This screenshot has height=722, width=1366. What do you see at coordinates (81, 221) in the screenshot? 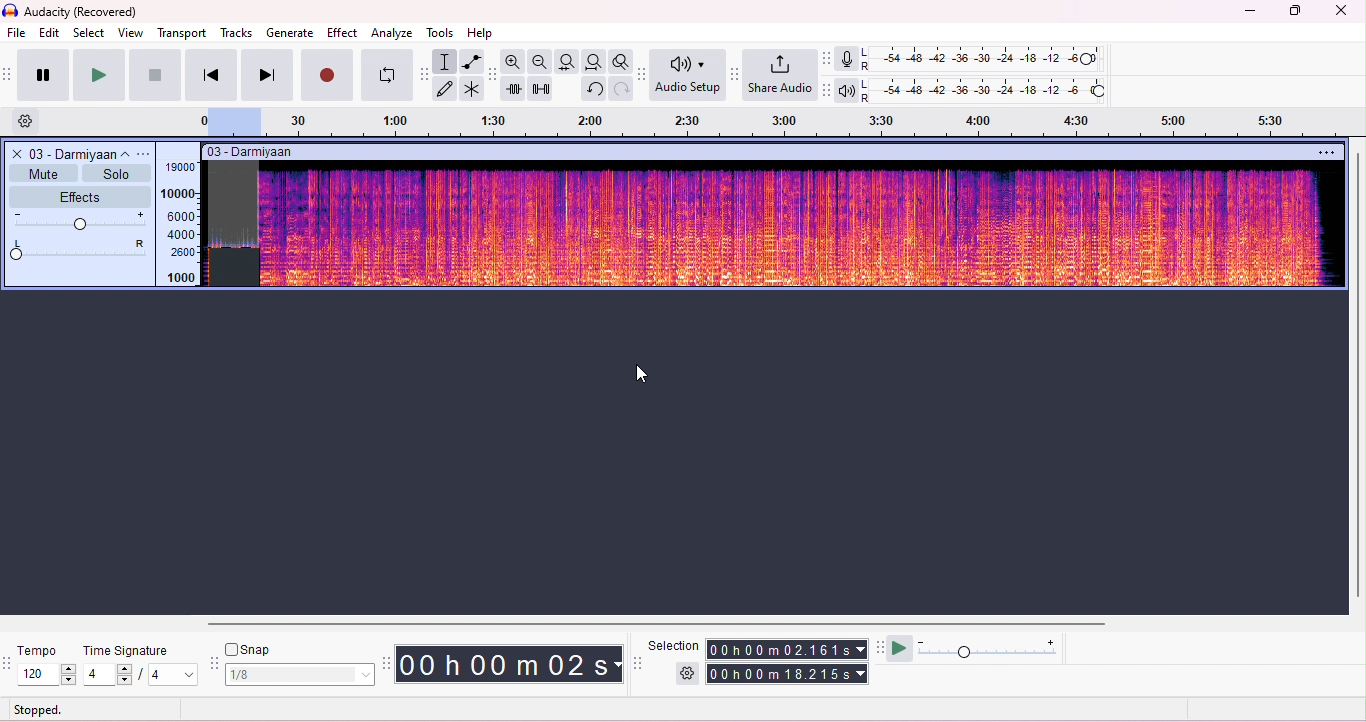
I see `volume` at bounding box center [81, 221].